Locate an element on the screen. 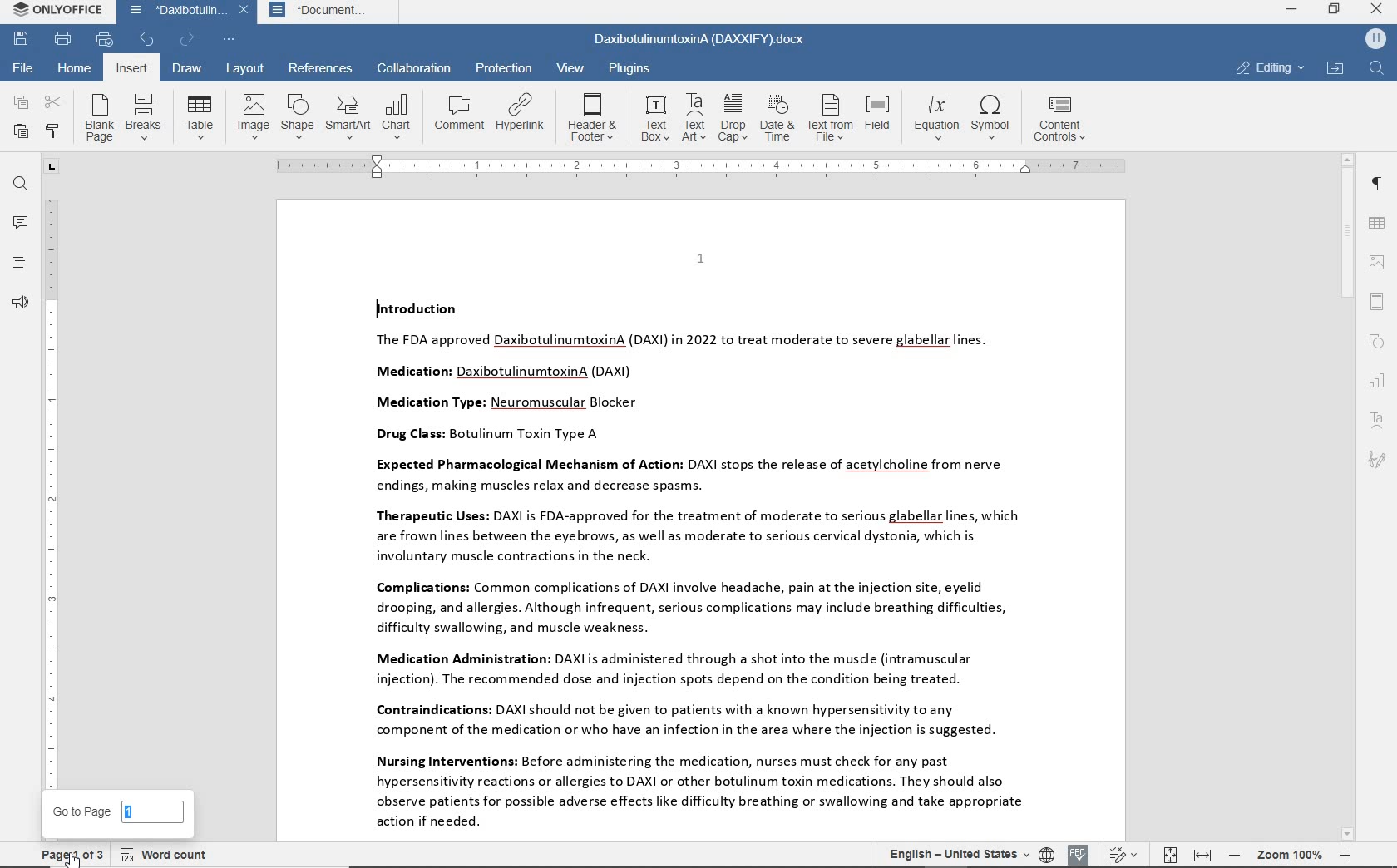  scroll up is located at coordinates (1348, 160).